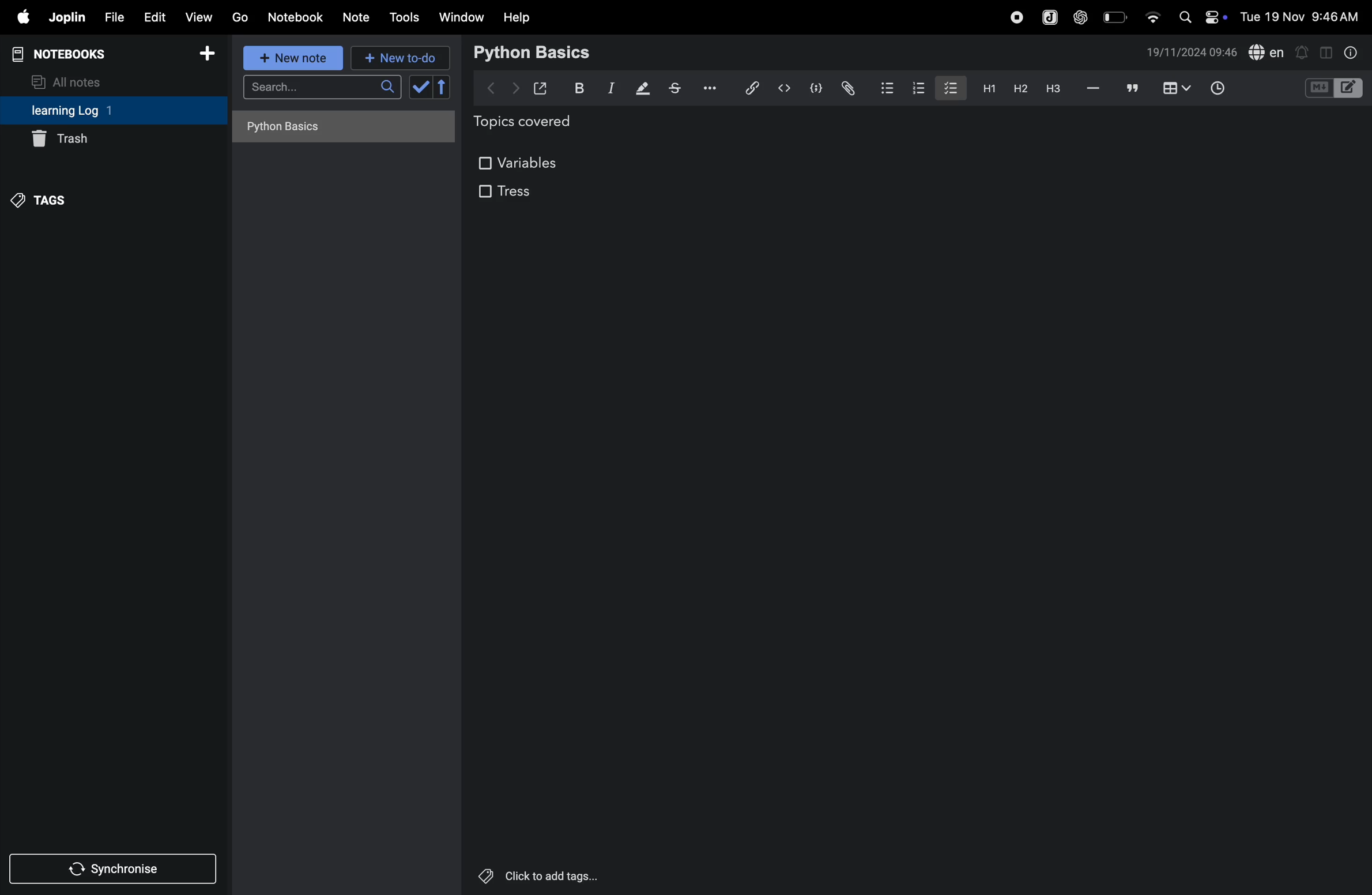 This screenshot has height=895, width=1372. What do you see at coordinates (1303, 16) in the screenshot?
I see `date and time` at bounding box center [1303, 16].